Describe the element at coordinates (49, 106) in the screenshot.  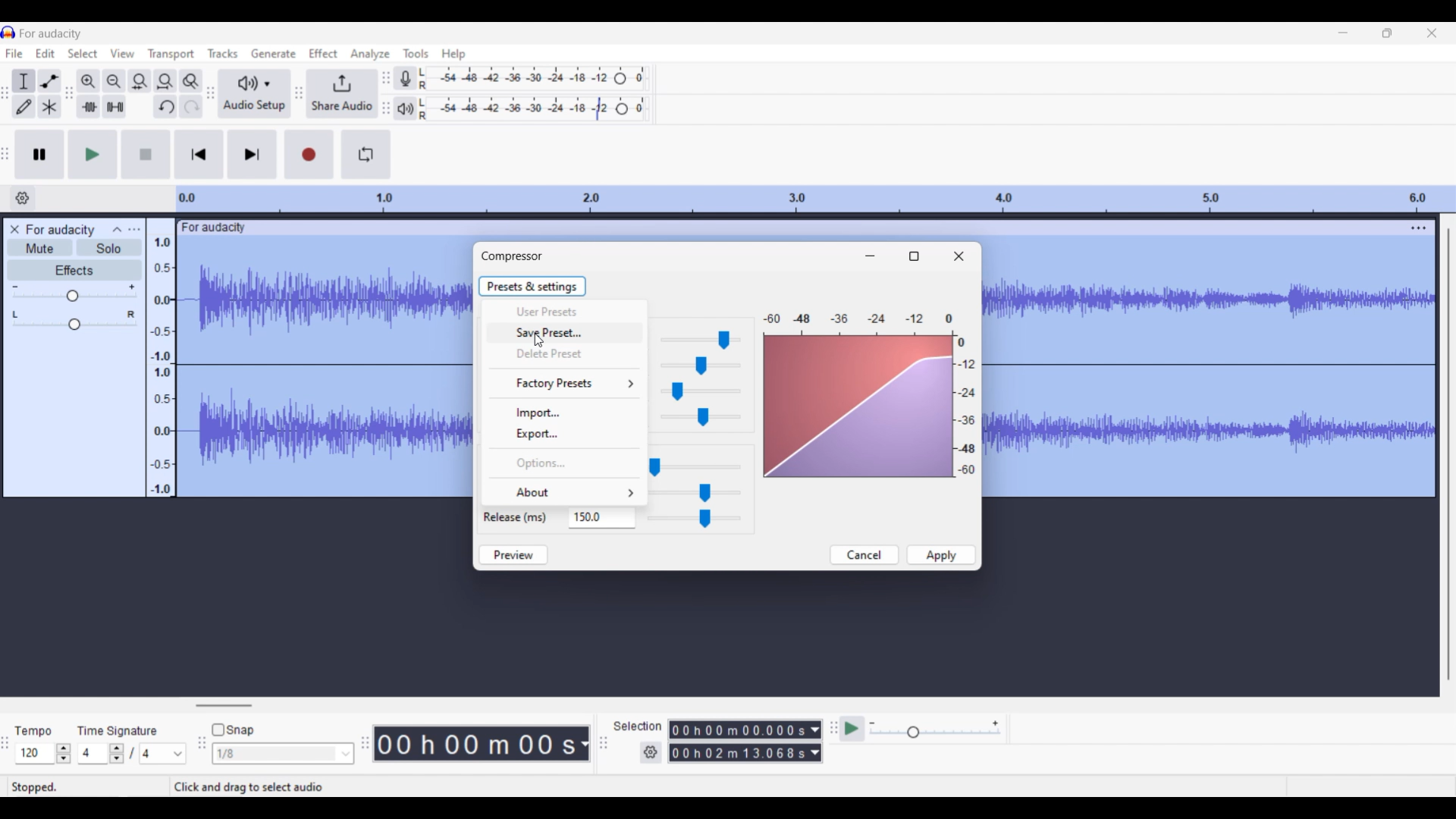
I see `Multi tool` at that location.